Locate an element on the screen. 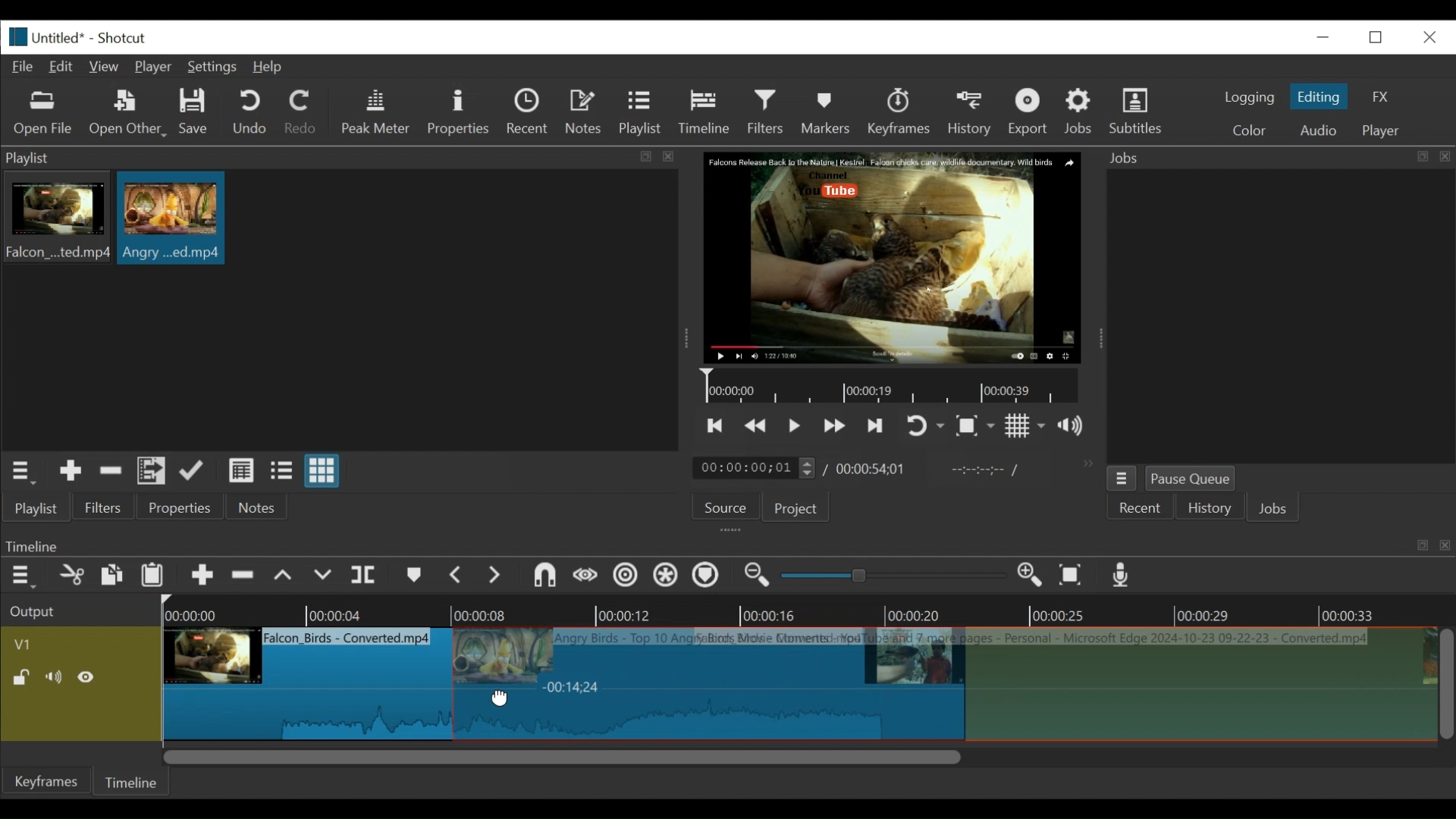 The height and width of the screenshot is (819, 1456). Settings is located at coordinates (215, 69).